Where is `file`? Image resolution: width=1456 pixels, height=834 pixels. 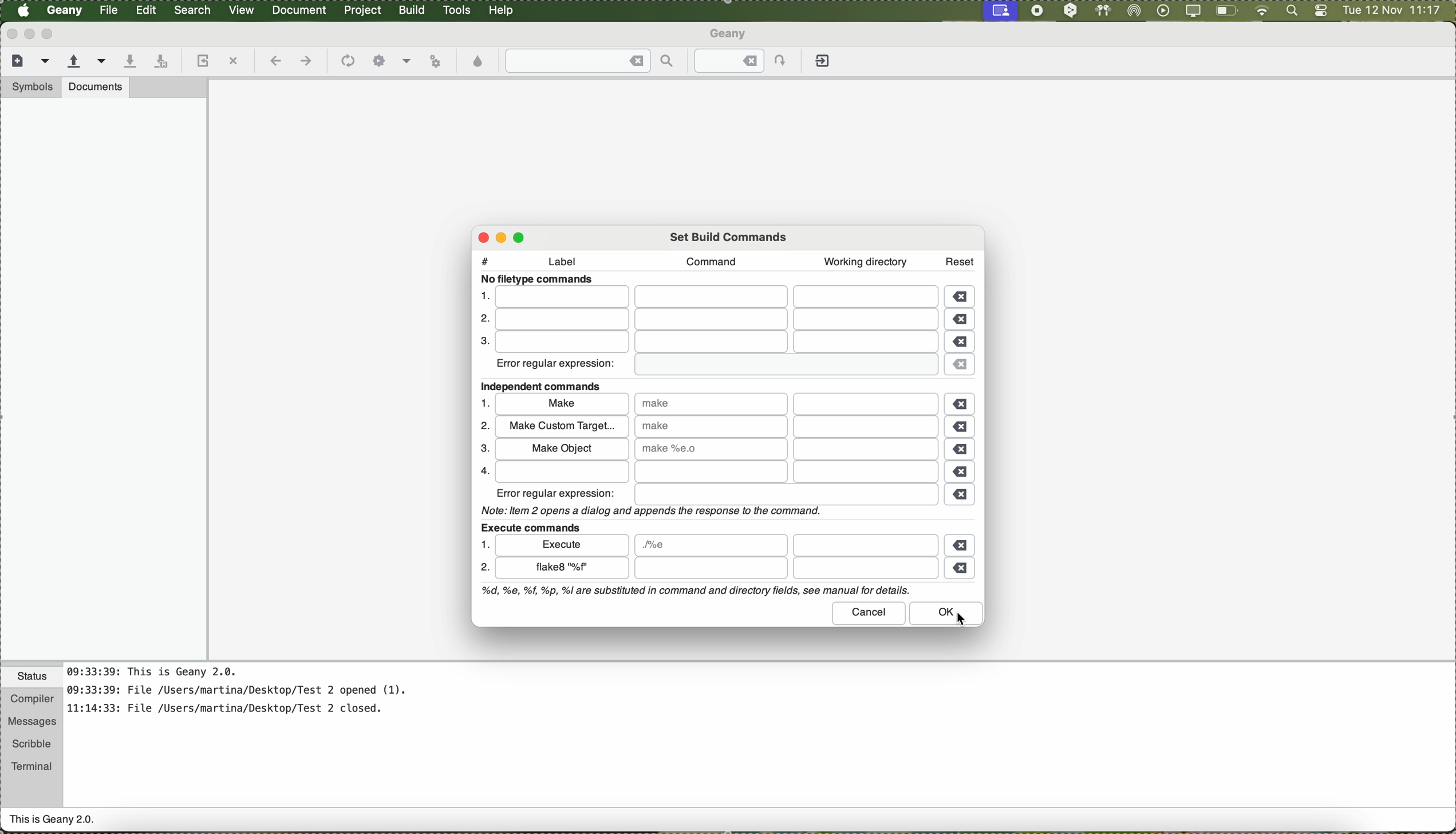
file is located at coordinates (110, 10).